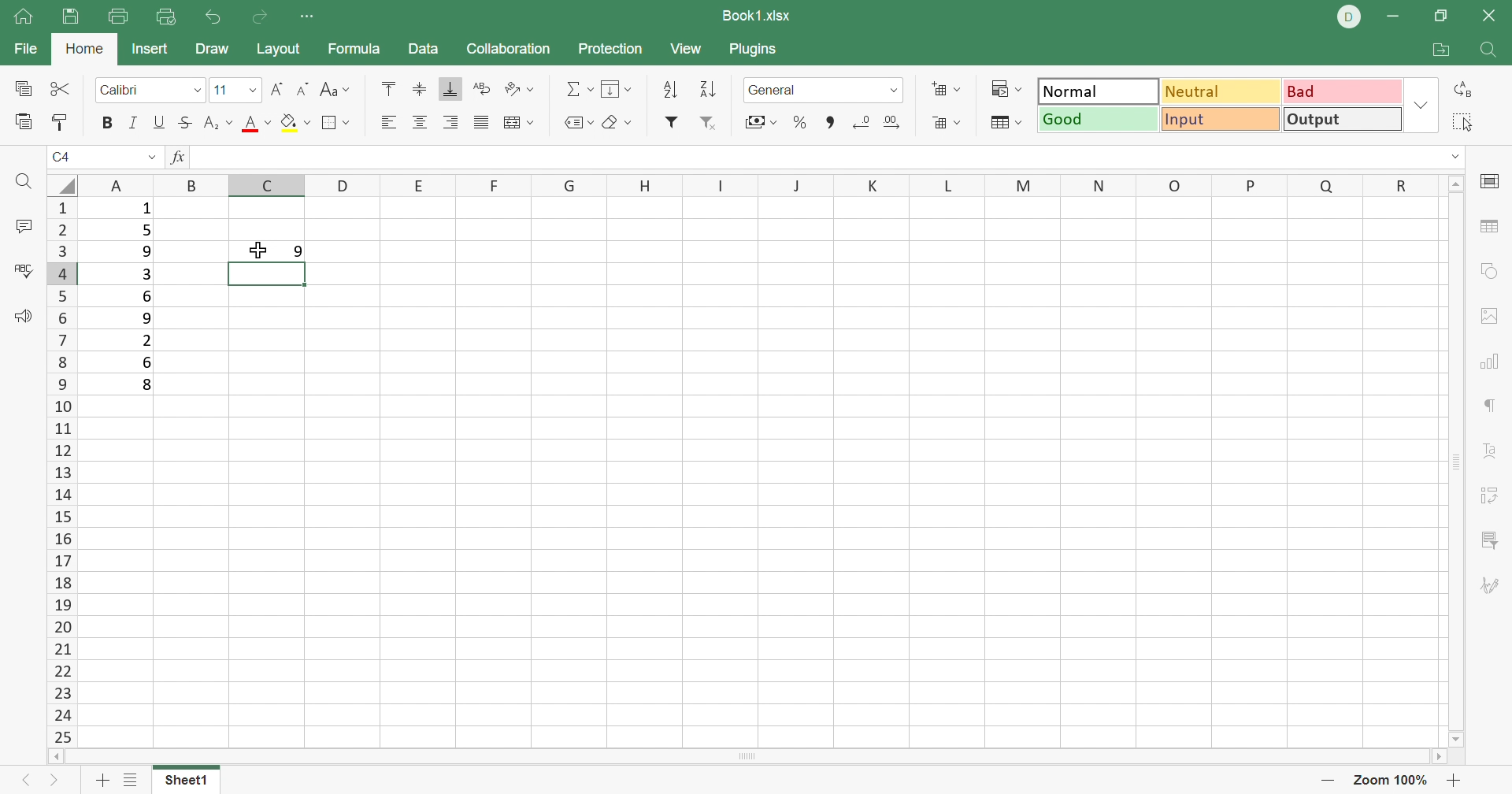  Describe the element at coordinates (258, 16) in the screenshot. I see `Redo` at that location.